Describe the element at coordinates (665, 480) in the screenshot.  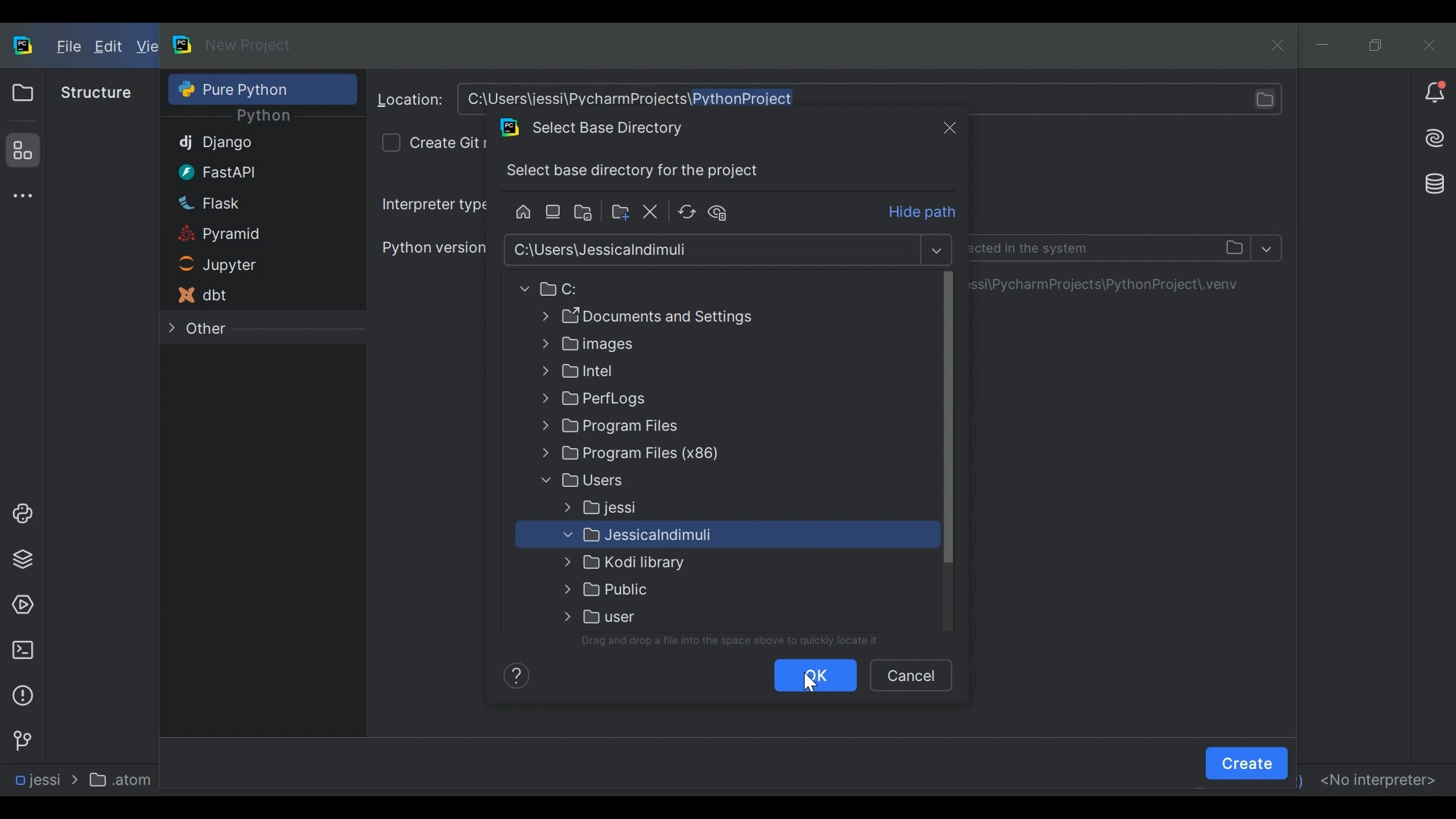
I see `` at that location.